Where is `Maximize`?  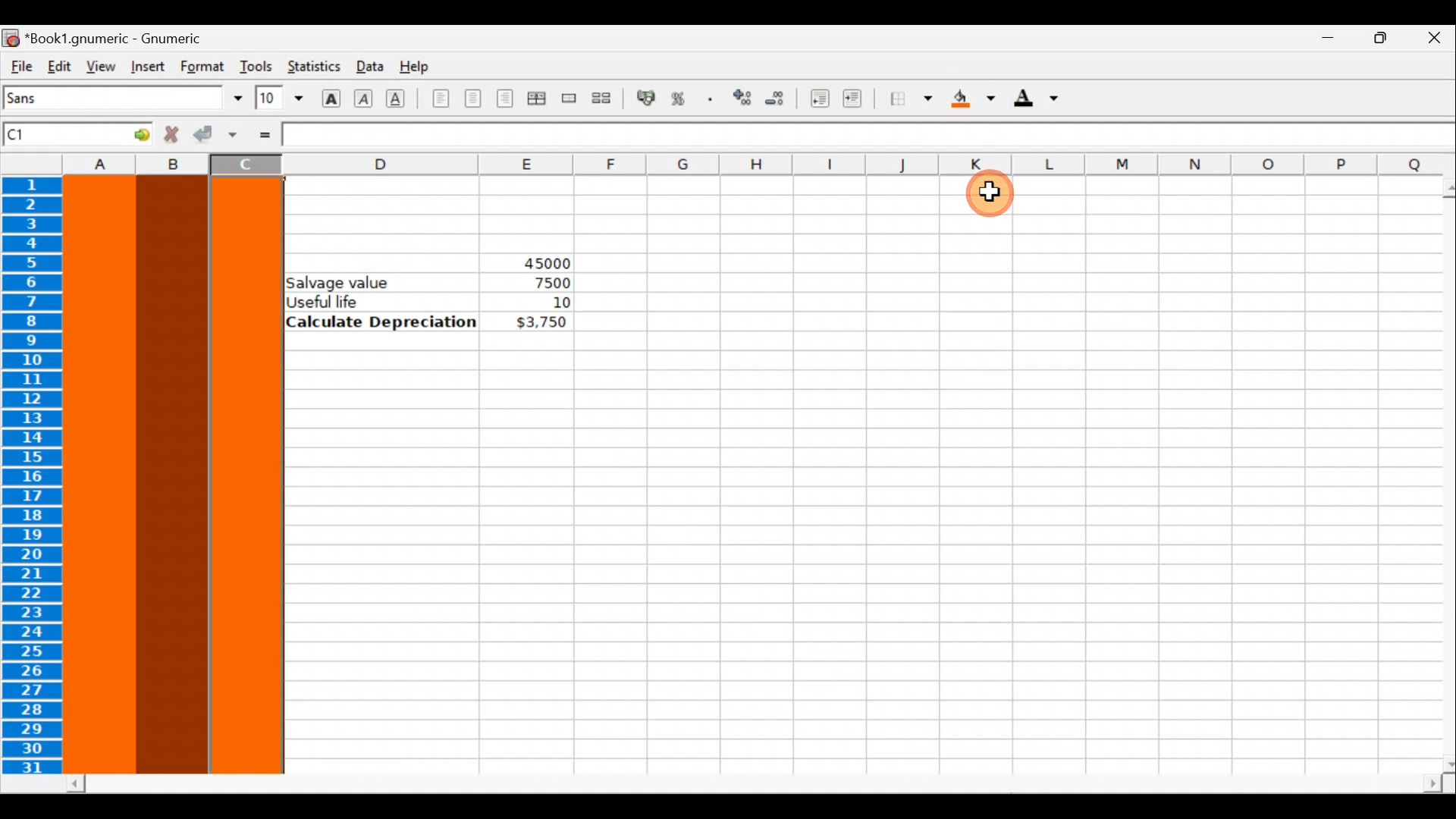
Maximize is located at coordinates (1377, 42).